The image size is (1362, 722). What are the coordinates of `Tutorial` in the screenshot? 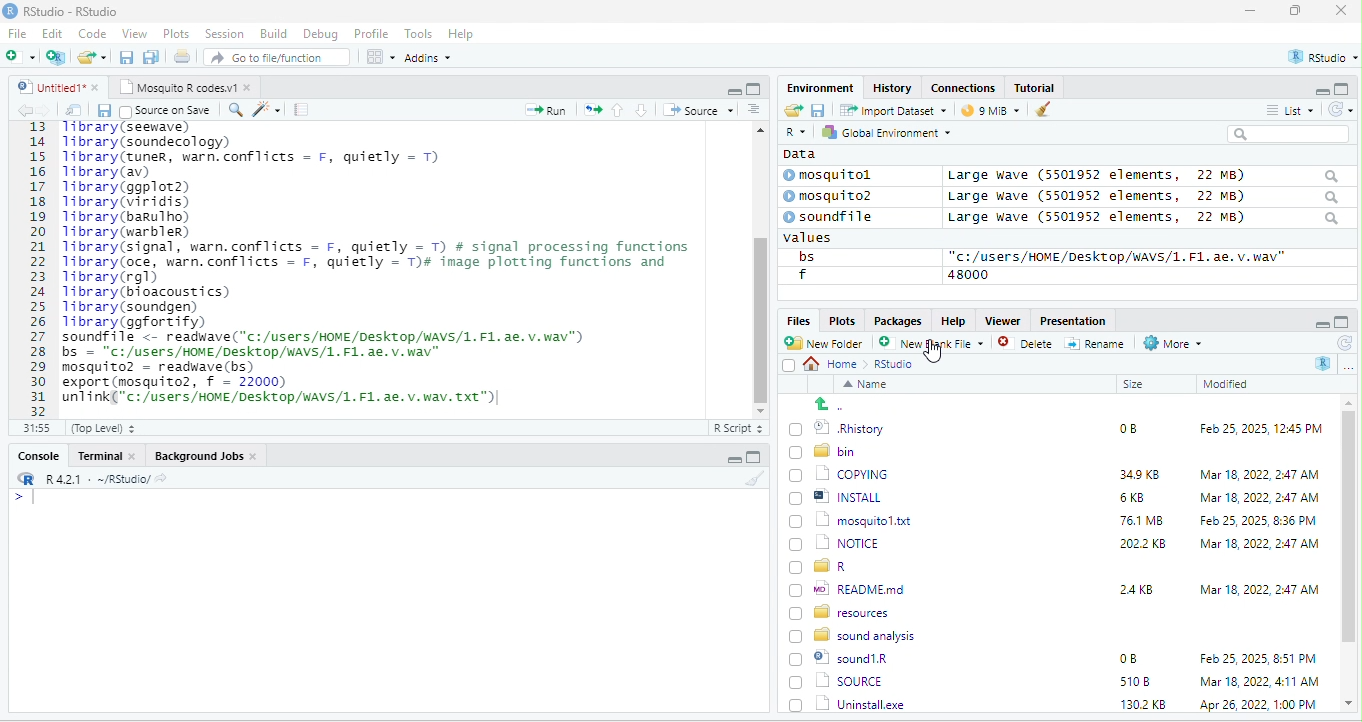 It's located at (1037, 87).